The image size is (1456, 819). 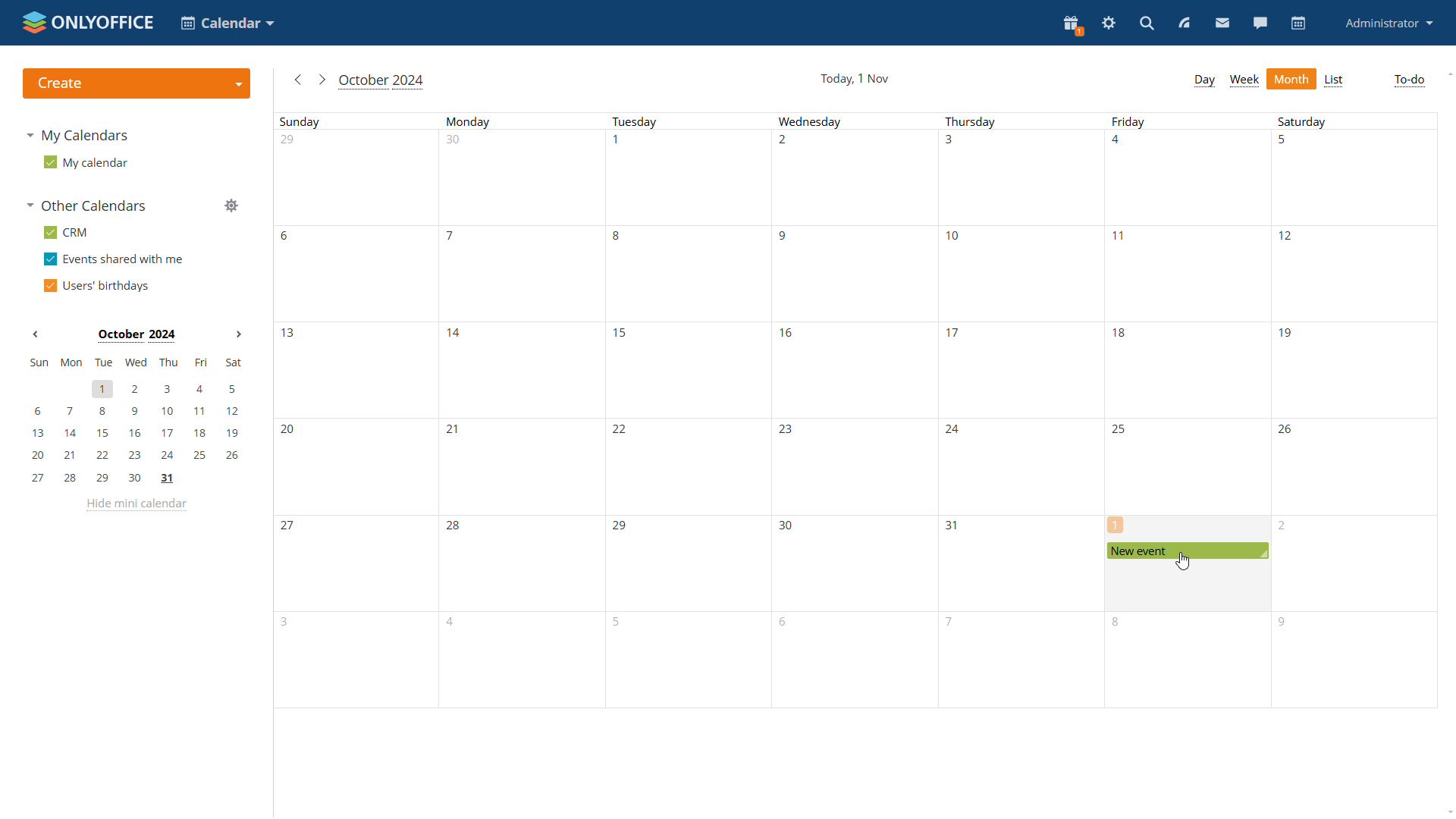 I want to click on day view, so click(x=1204, y=80).